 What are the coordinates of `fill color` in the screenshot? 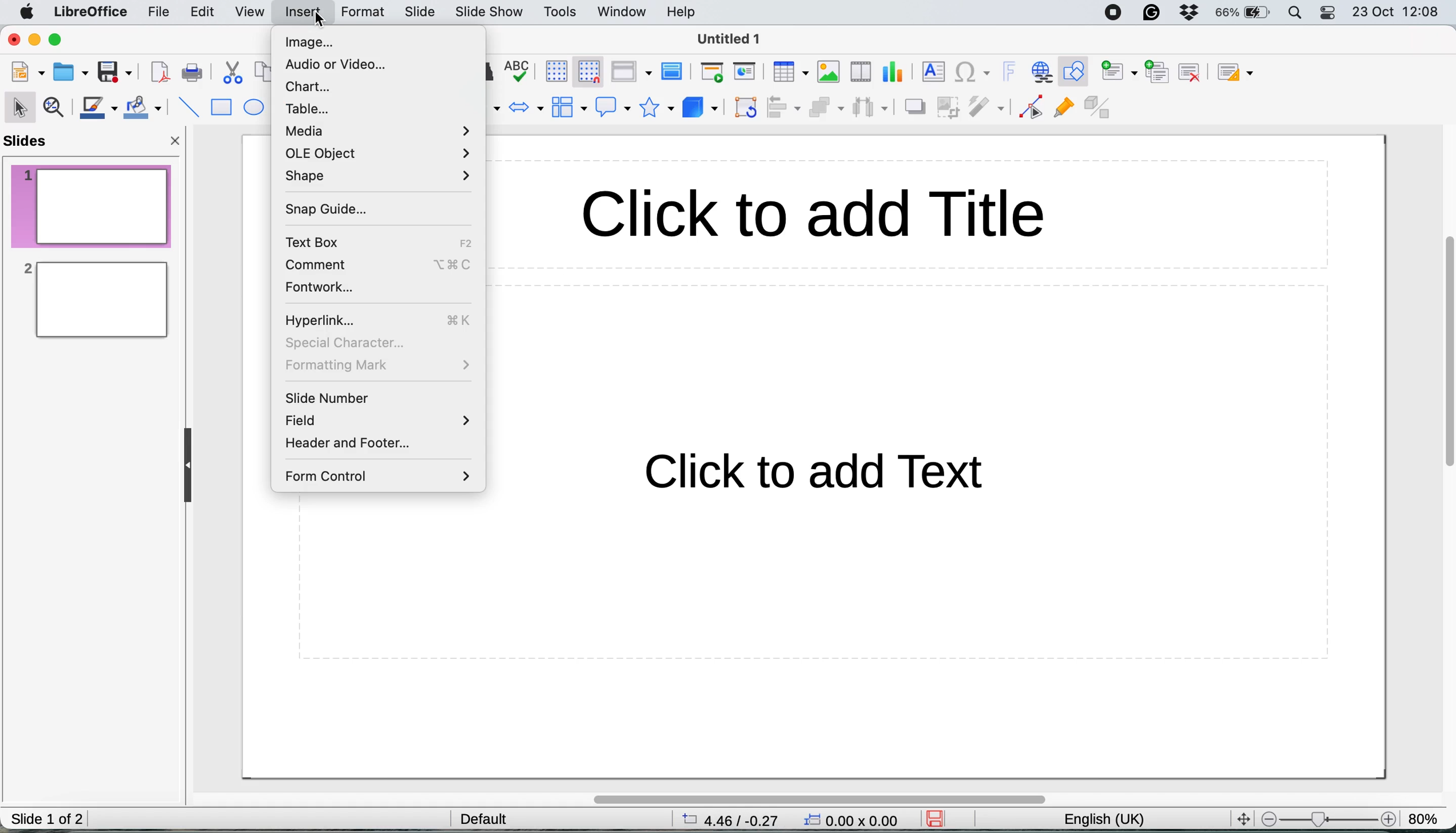 It's located at (145, 108).